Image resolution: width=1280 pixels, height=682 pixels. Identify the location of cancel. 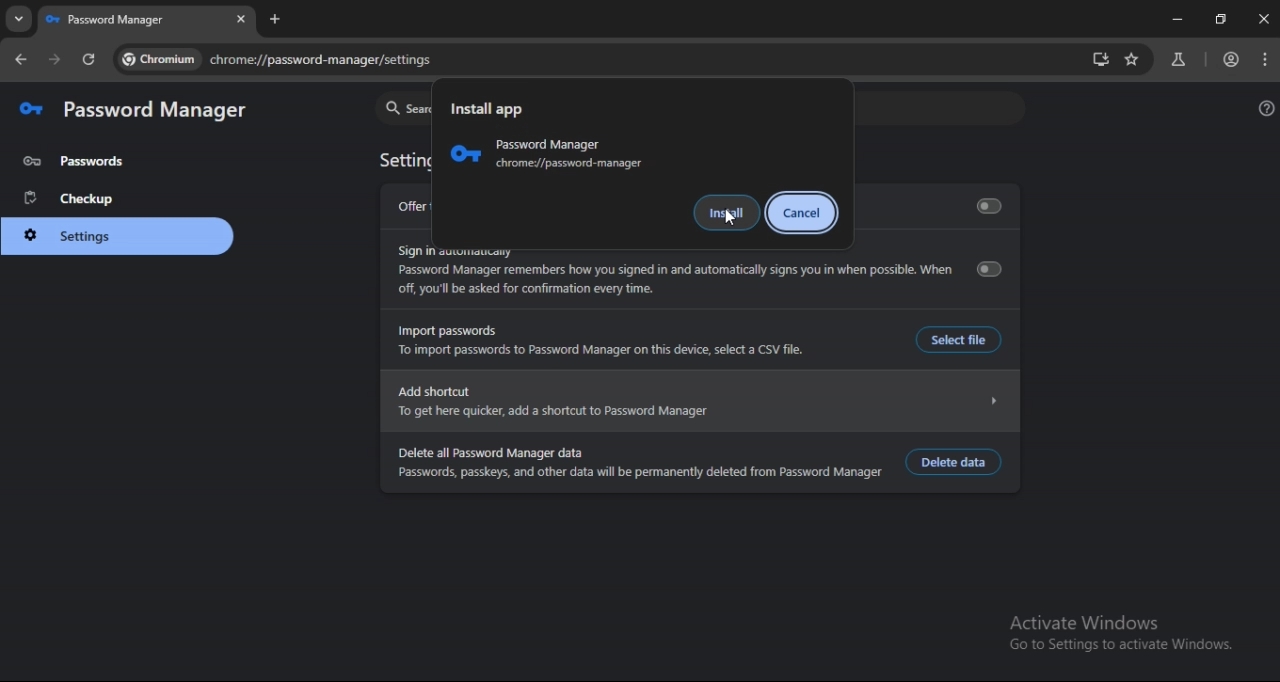
(800, 212).